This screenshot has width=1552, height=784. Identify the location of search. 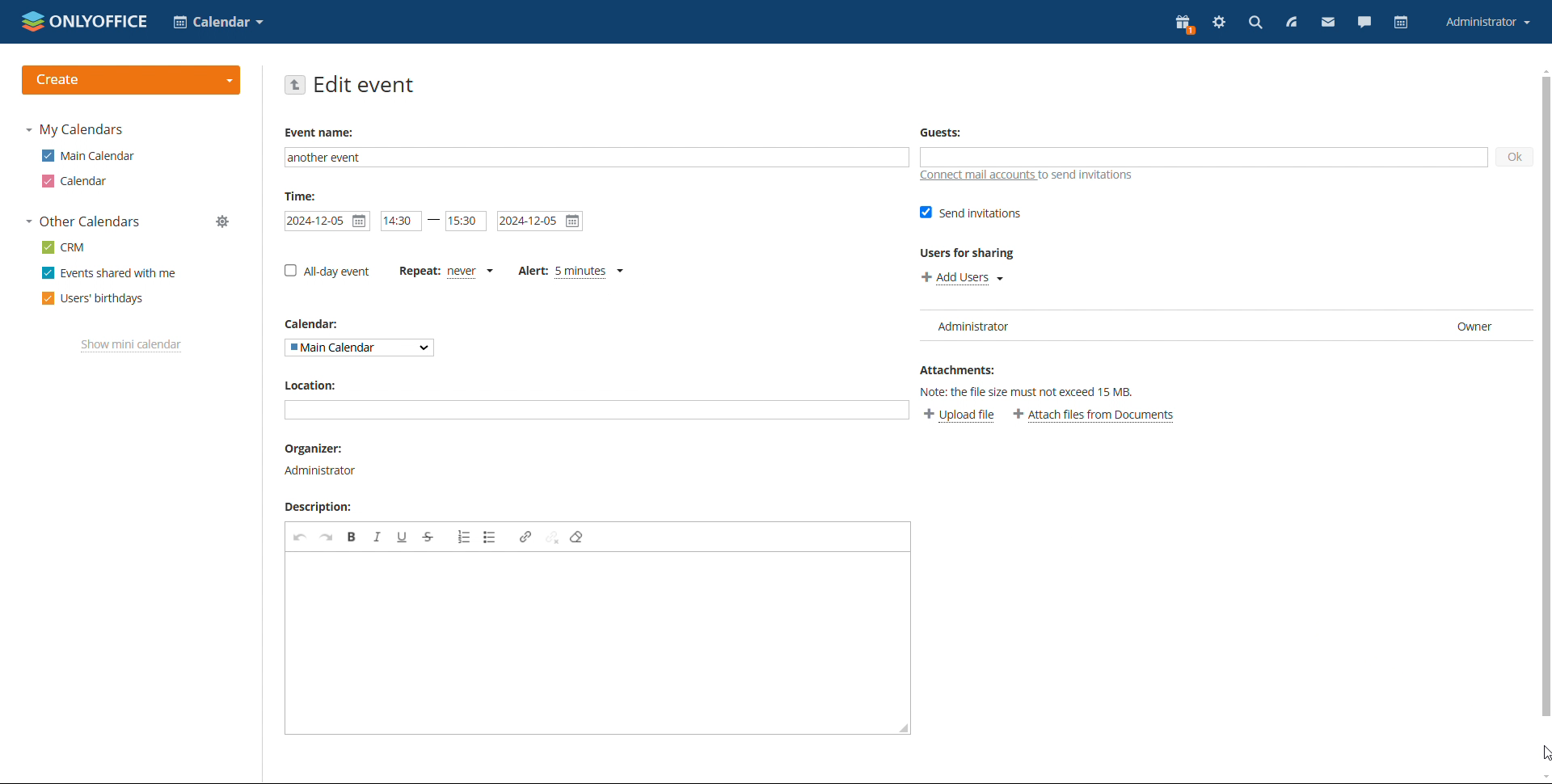
(1255, 23).